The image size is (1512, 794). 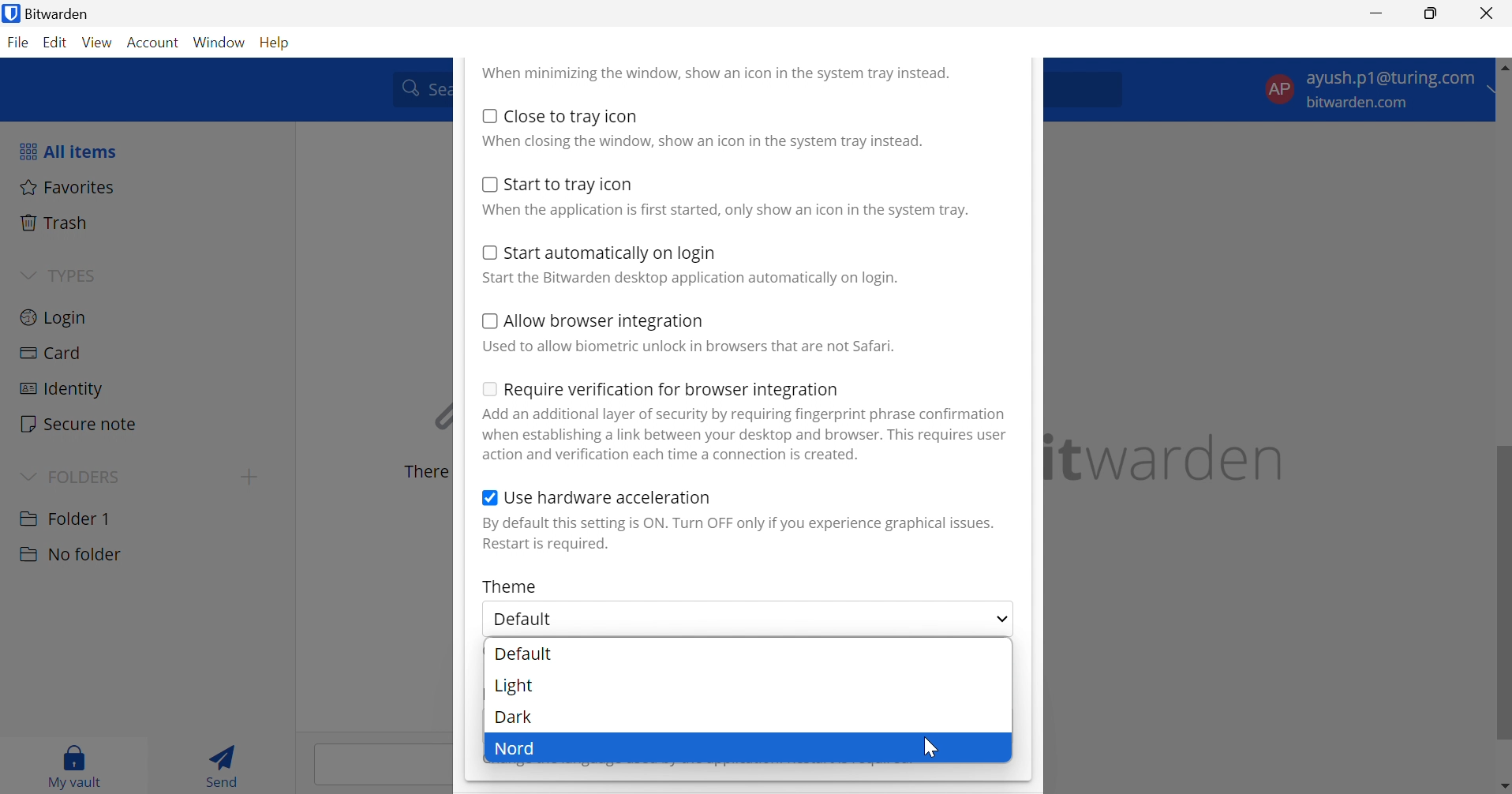 I want to click on Cursor, so click(x=929, y=748).